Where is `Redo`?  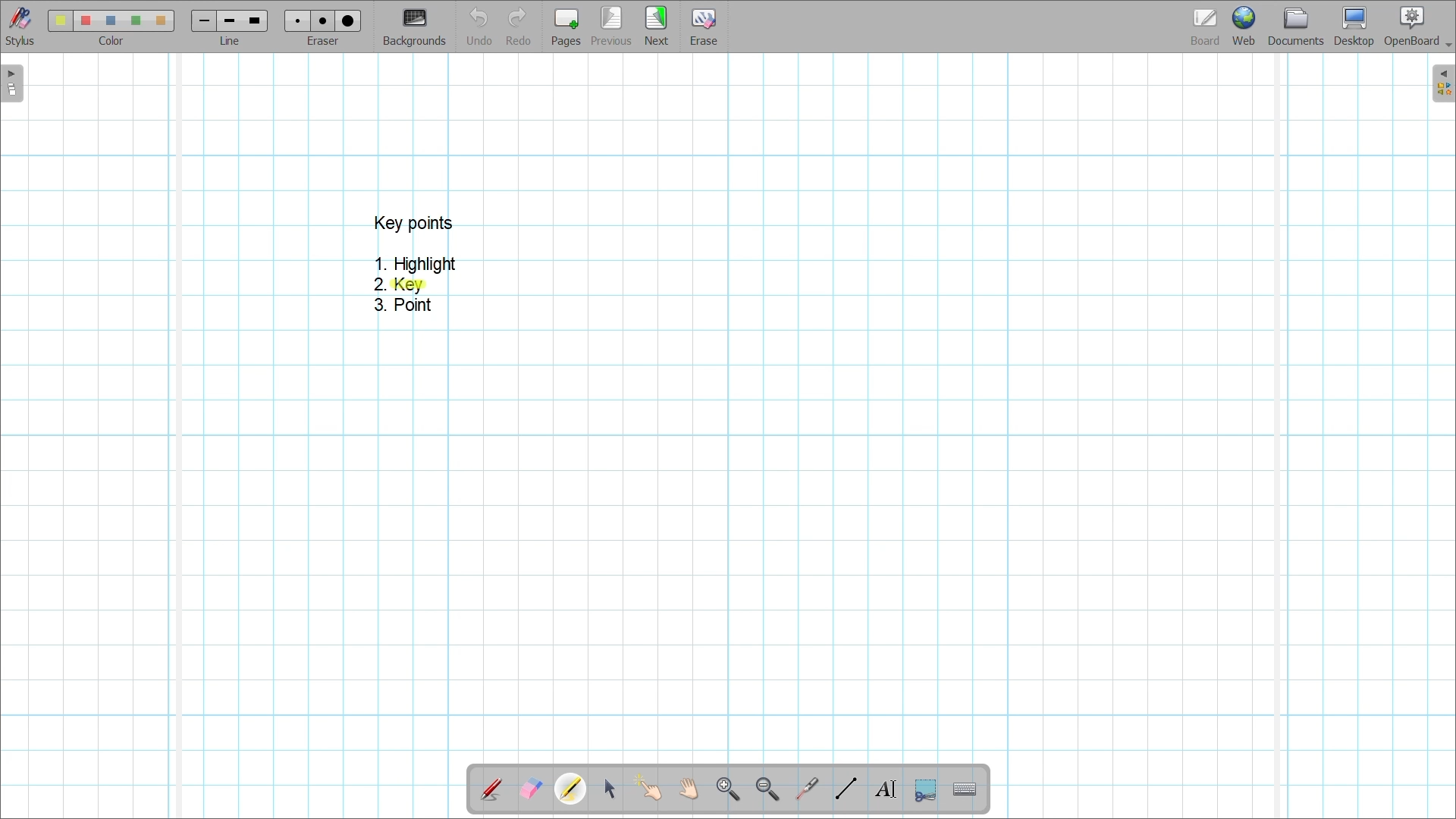
Redo is located at coordinates (519, 26).